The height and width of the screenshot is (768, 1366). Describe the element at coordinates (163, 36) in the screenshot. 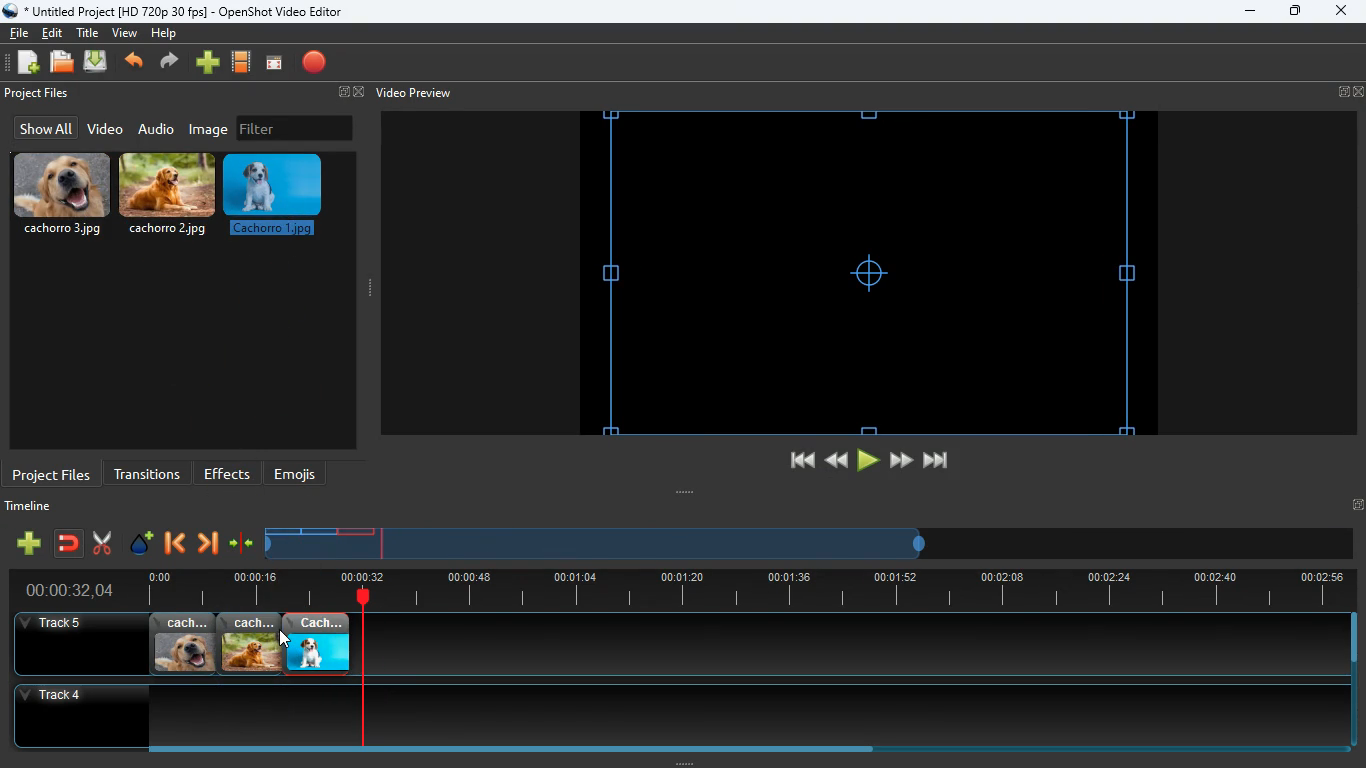

I see `help` at that location.